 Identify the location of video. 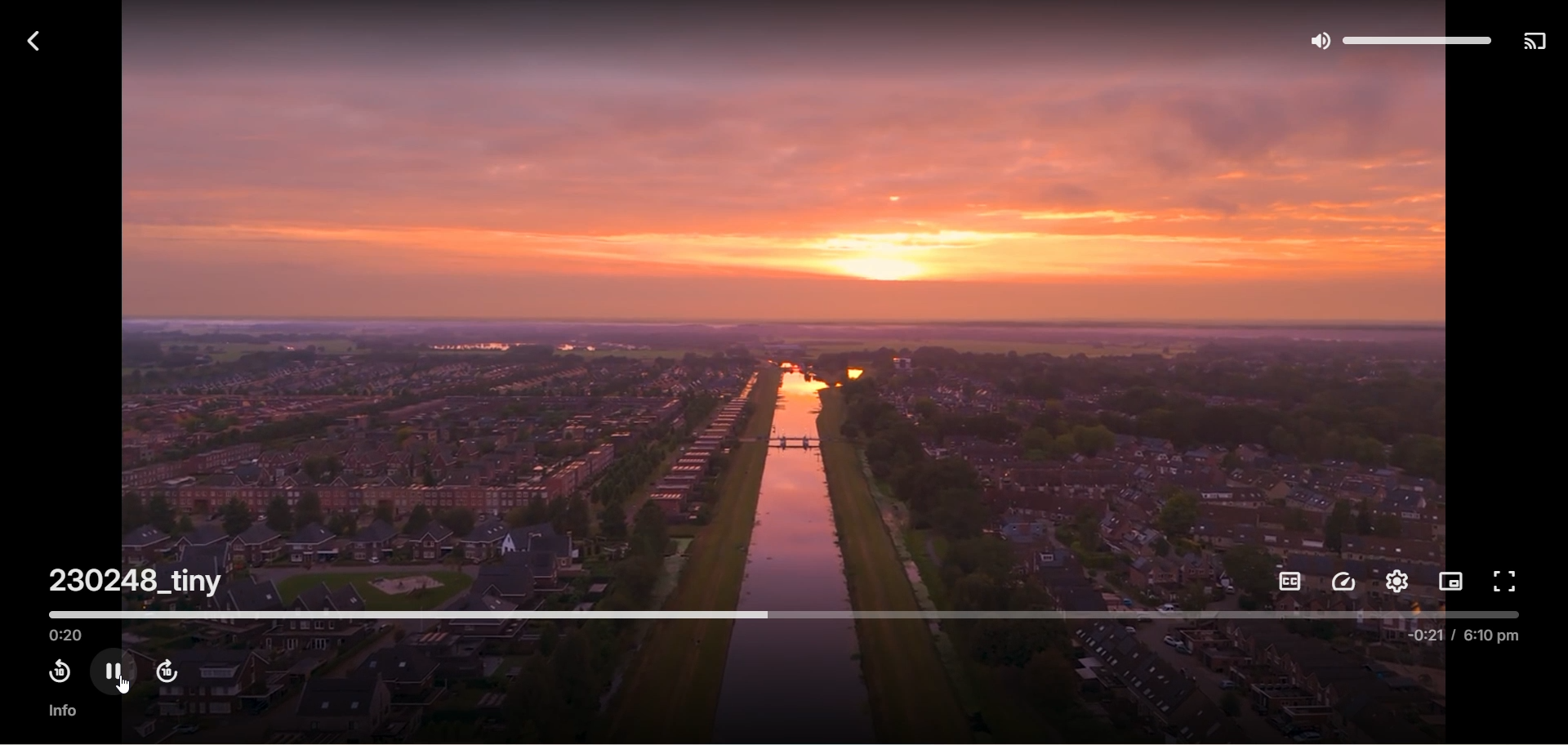
(791, 308).